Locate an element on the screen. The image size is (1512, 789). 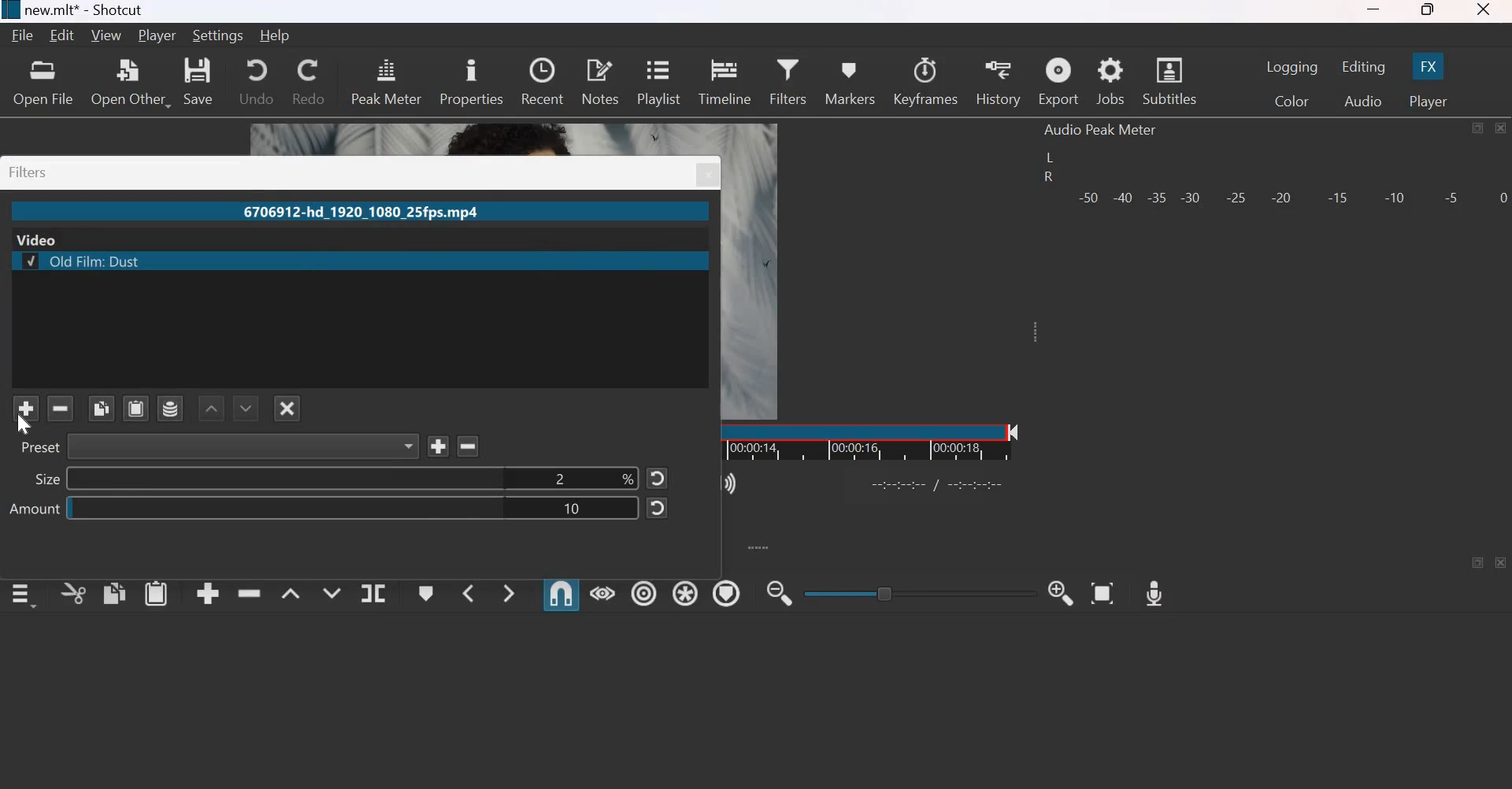
Ripple Markers is located at coordinates (727, 593).